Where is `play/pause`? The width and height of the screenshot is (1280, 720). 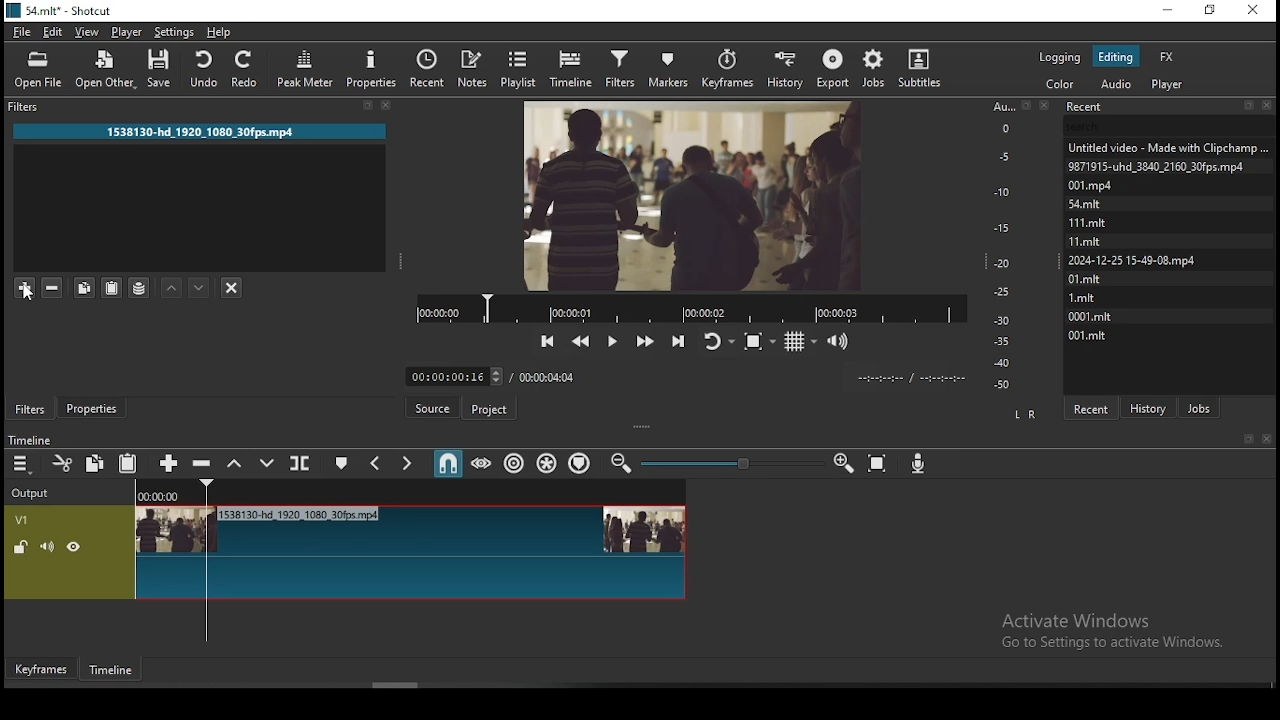 play/pause is located at coordinates (611, 342).